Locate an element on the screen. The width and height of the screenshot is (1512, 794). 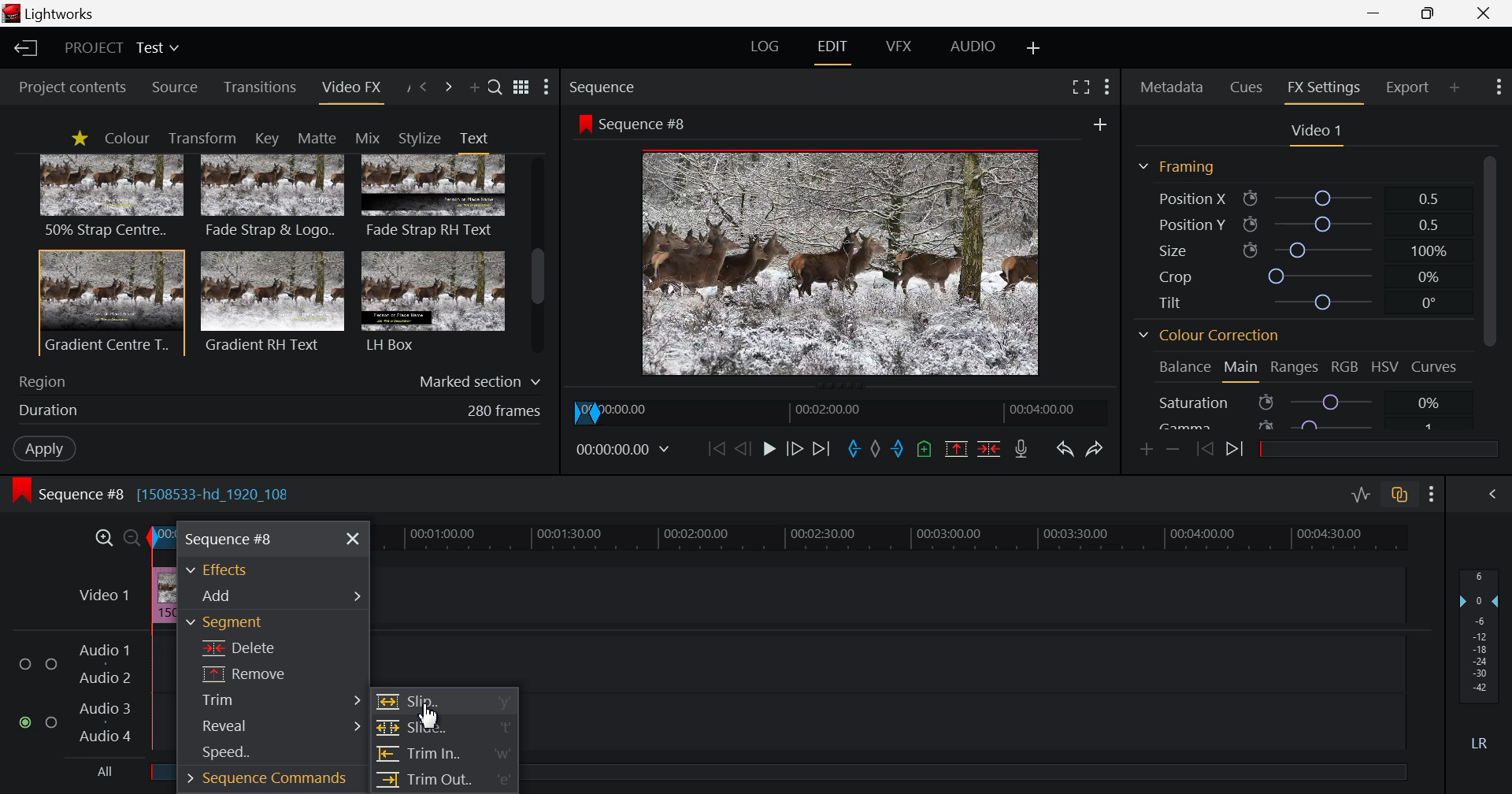
Sequence Preview is located at coordinates (843, 266).